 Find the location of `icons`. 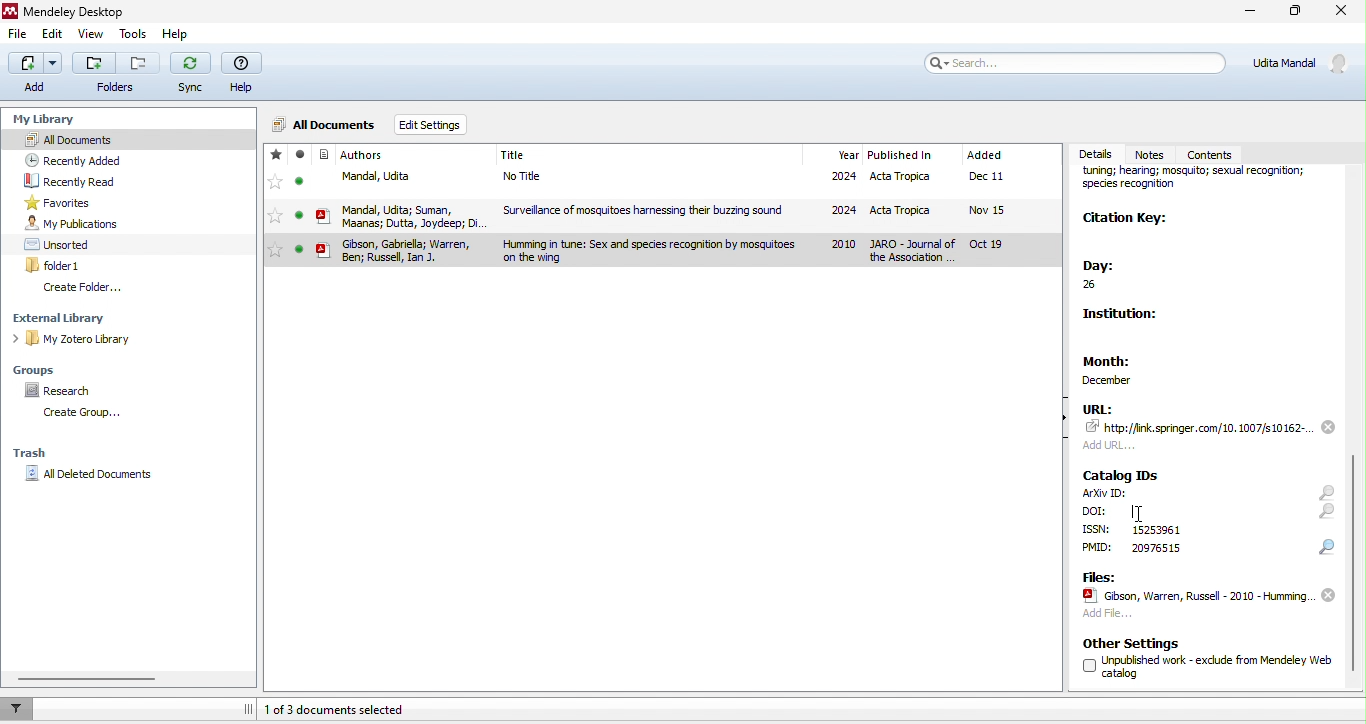

icons is located at coordinates (1327, 520).